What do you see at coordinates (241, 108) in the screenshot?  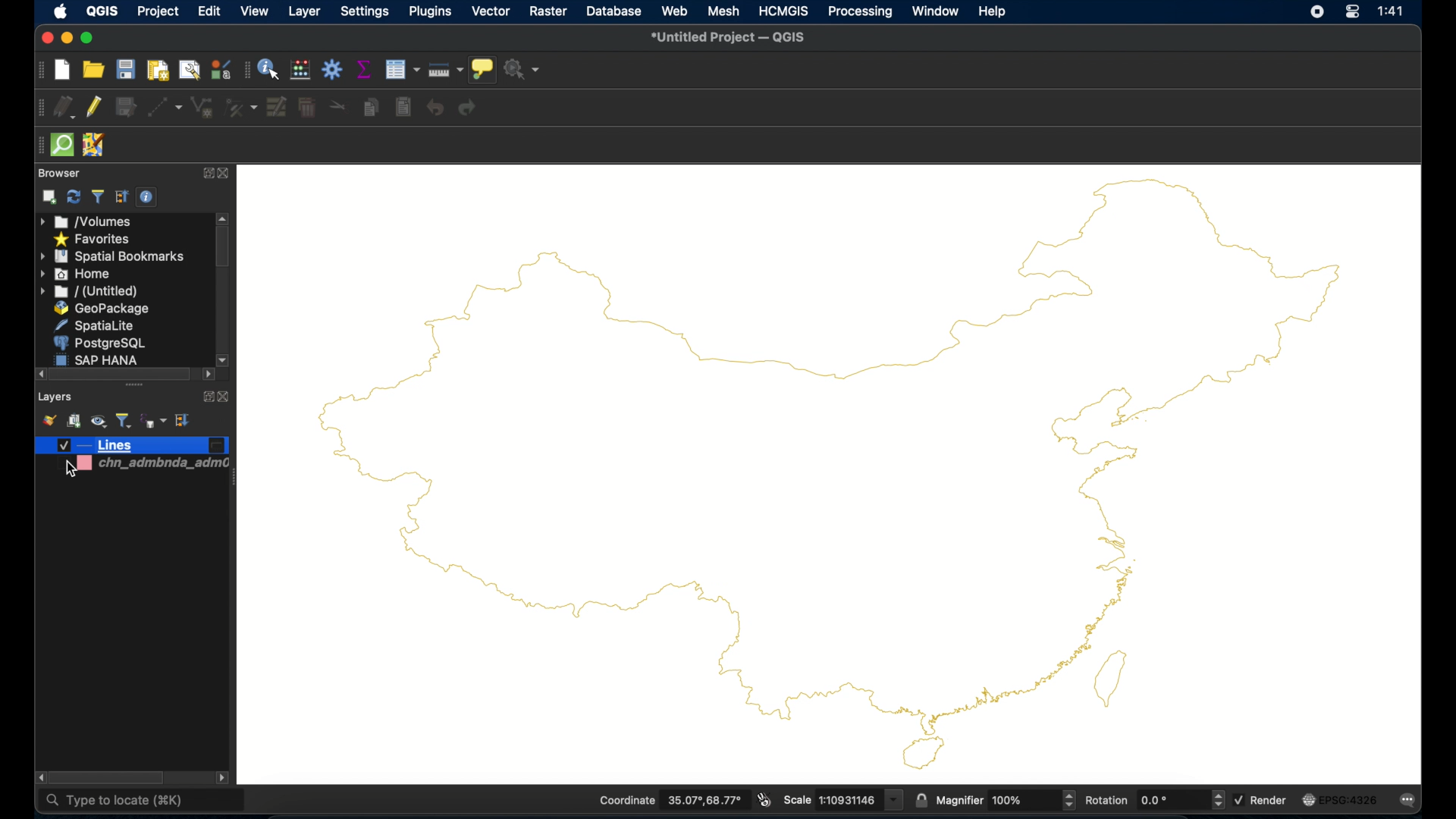 I see `vertex tool` at bounding box center [241, 108].